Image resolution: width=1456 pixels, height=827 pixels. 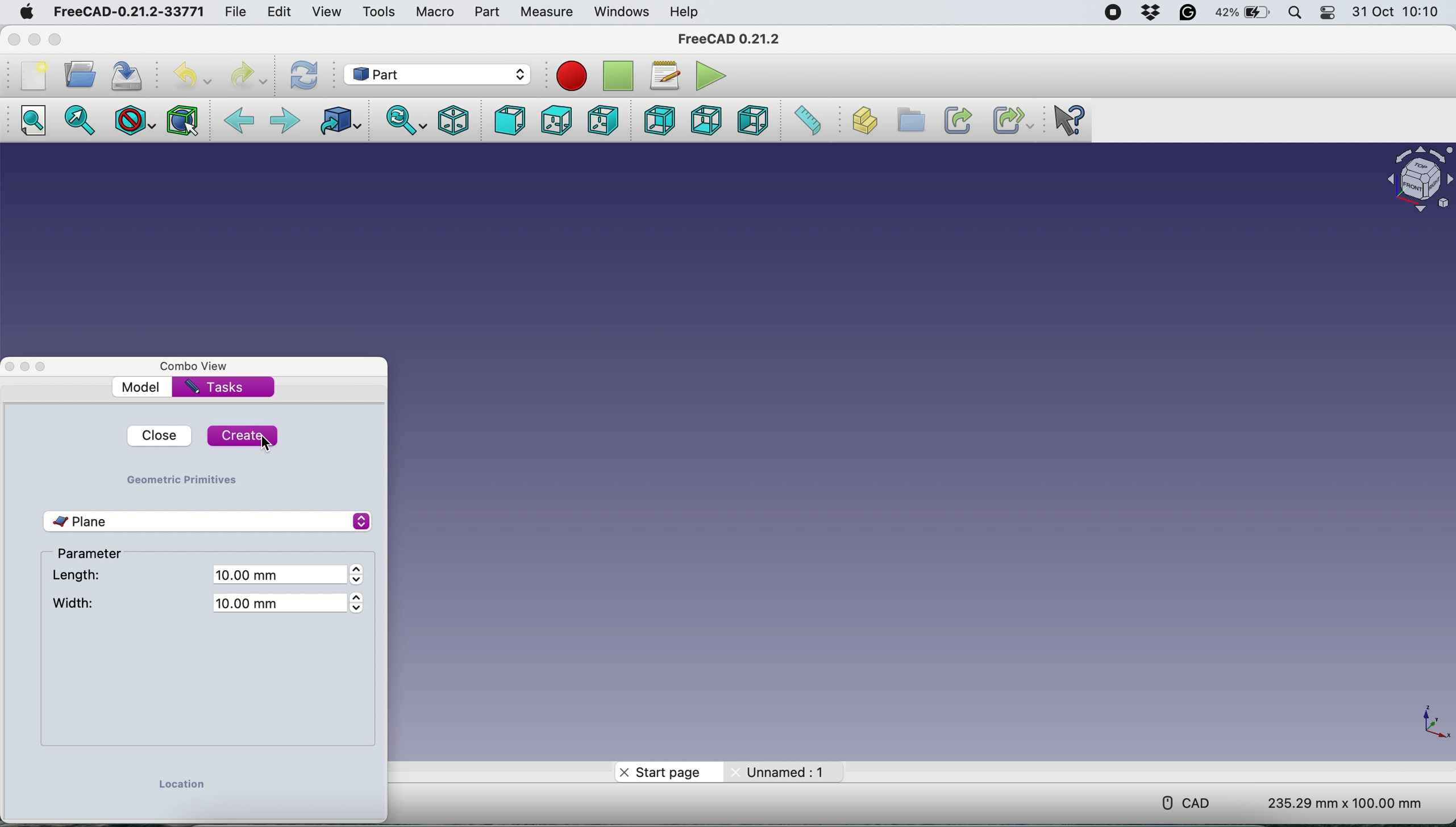 What do you see at coordinates (505, 120) in the screenshot?
I see `Front` at bounding box center [505, 120].